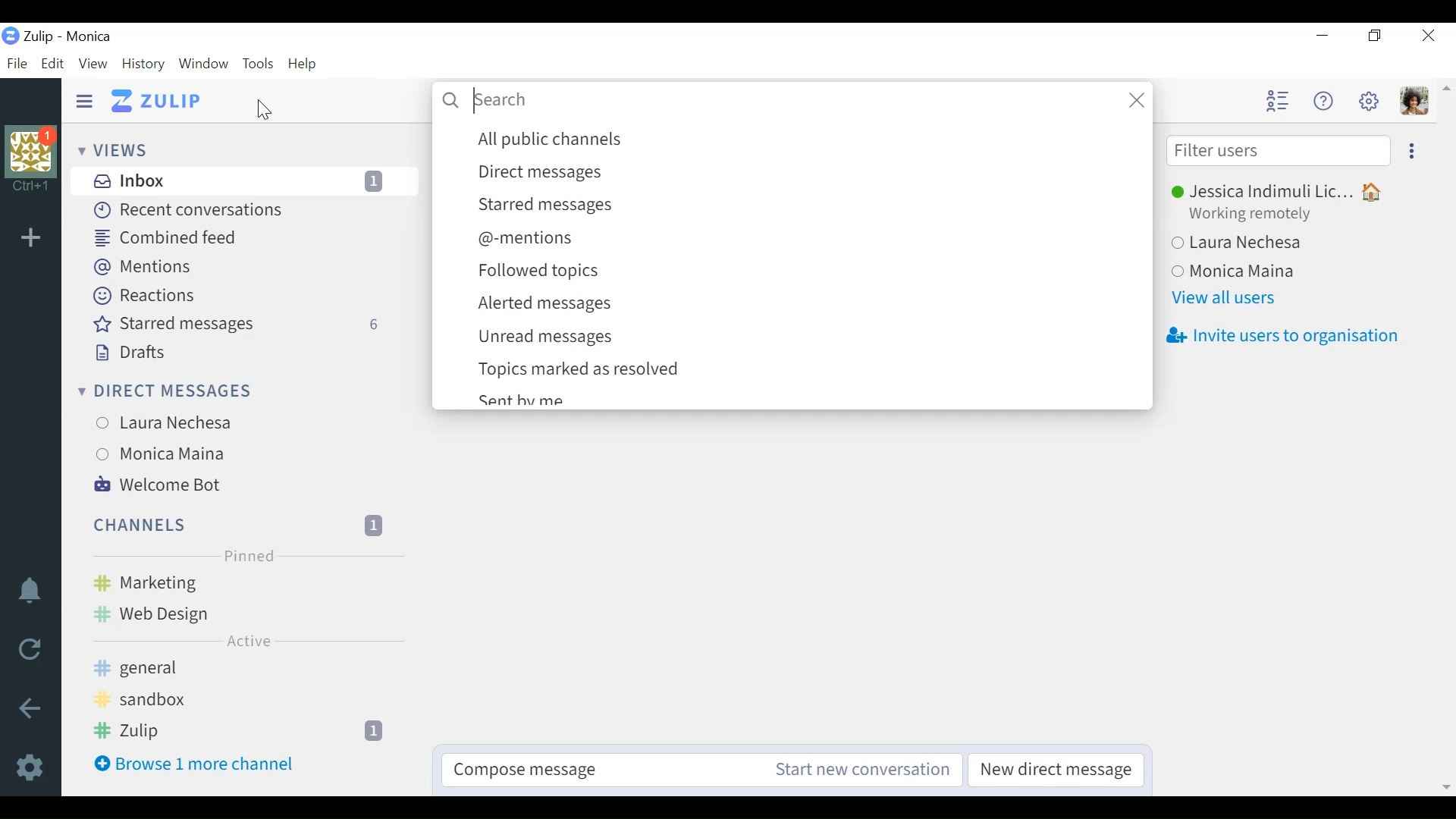 Image resolution: width=1456 pixels, height=819 pixels. Describe the element at coordinates (795, 102) in the screenshot. I see `Search` at that location.